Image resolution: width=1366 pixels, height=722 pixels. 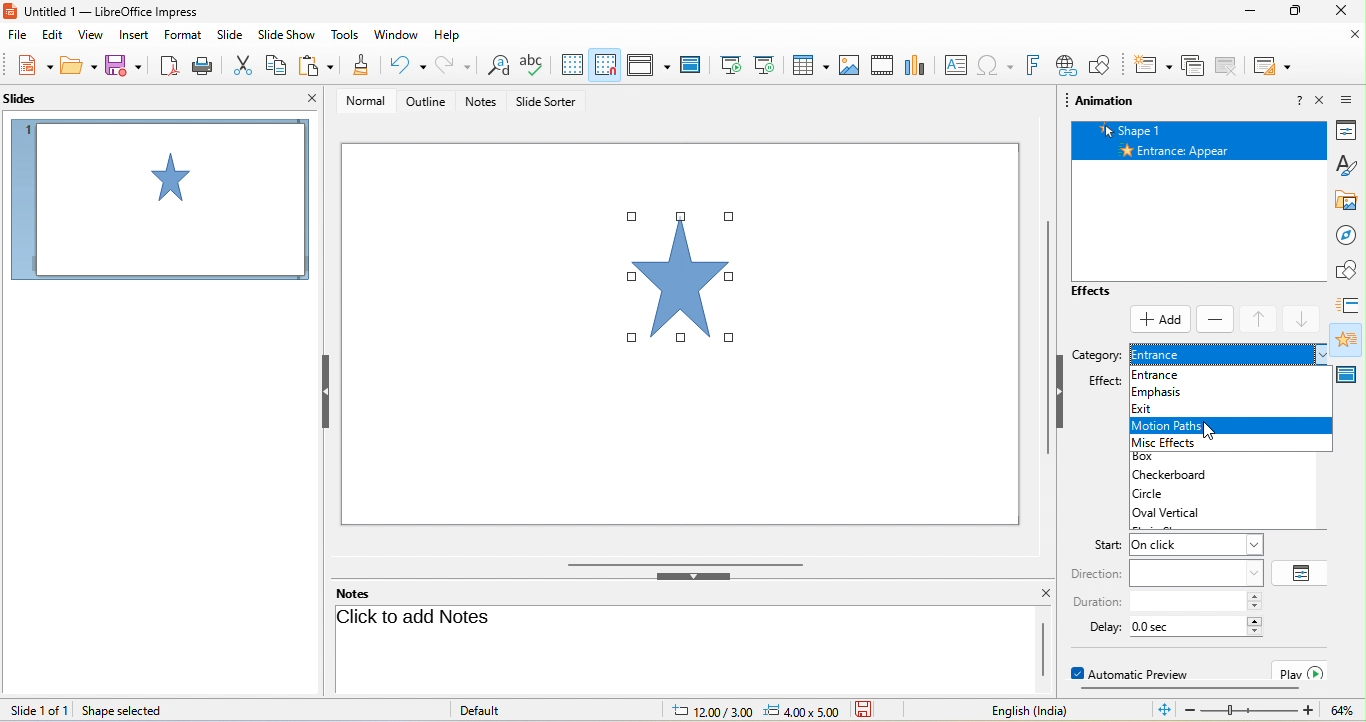 What do you see at coordinates (876, 710) in the screenshot?
I see `the document has not been modified since the last save` at bounding box center [876, 710].